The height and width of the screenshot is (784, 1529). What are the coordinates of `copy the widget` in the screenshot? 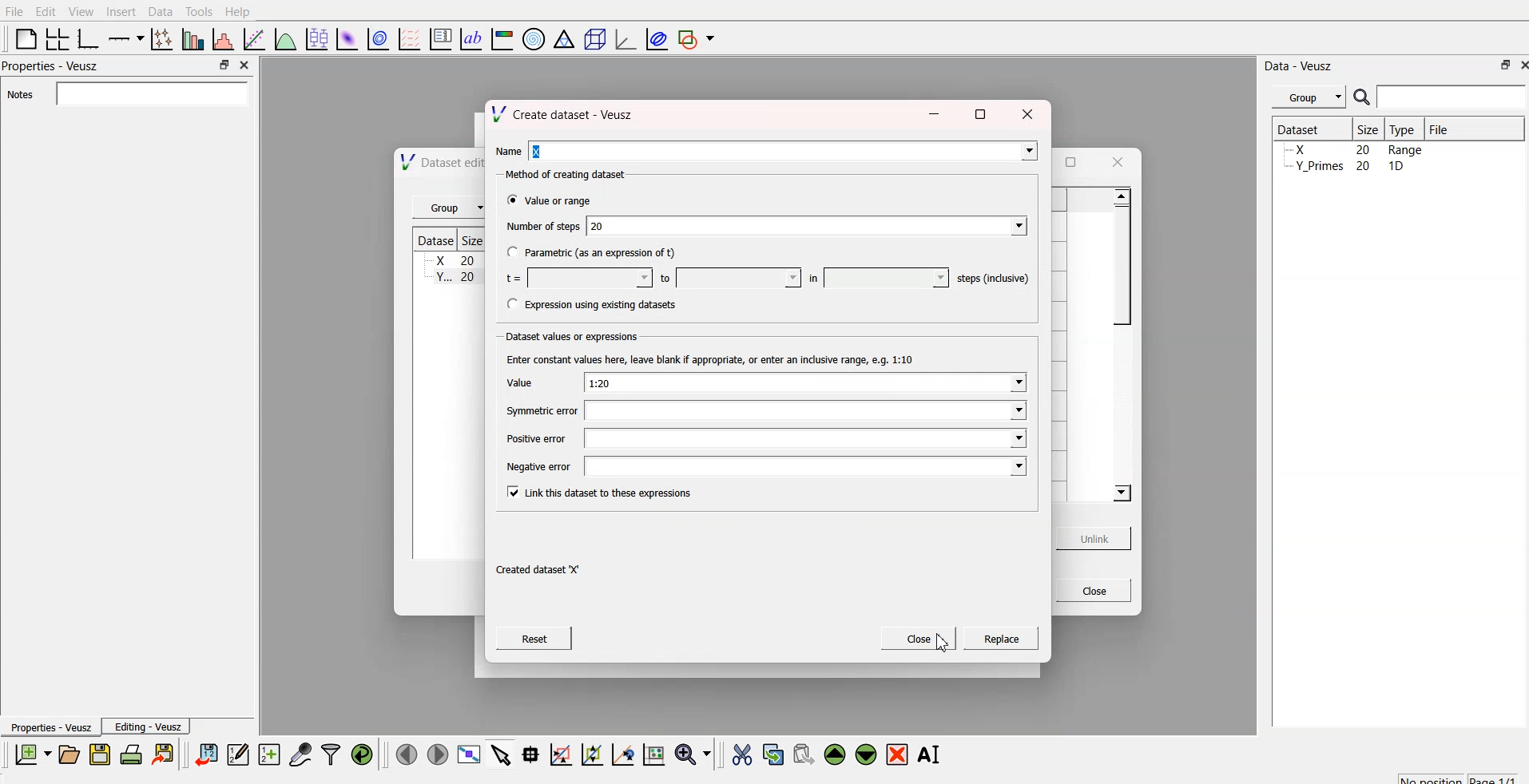 It's located at (772, 754).